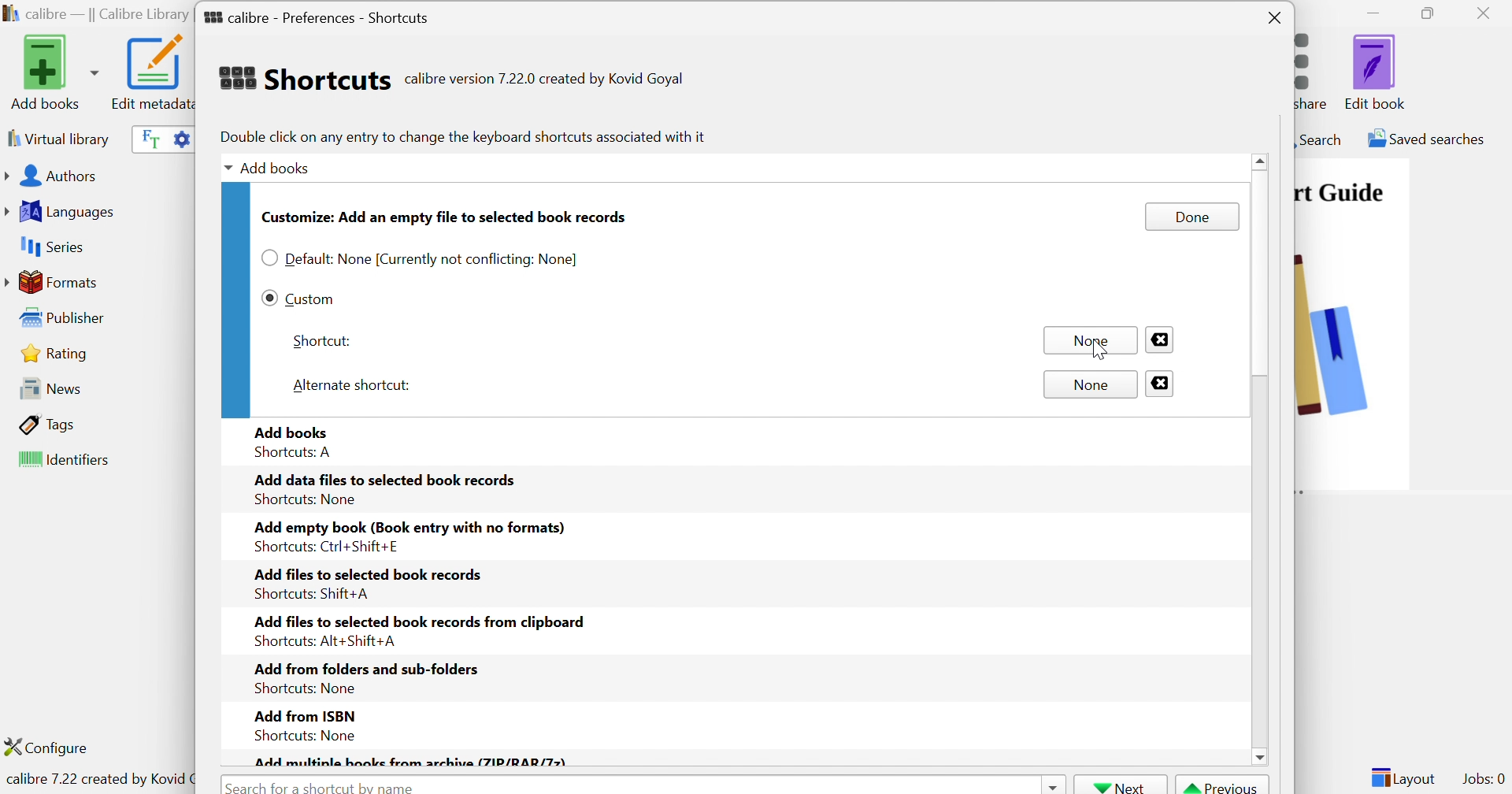 The height and width of the screenshot is (794, 1512). I want to click on Add books, so click(279, 166).